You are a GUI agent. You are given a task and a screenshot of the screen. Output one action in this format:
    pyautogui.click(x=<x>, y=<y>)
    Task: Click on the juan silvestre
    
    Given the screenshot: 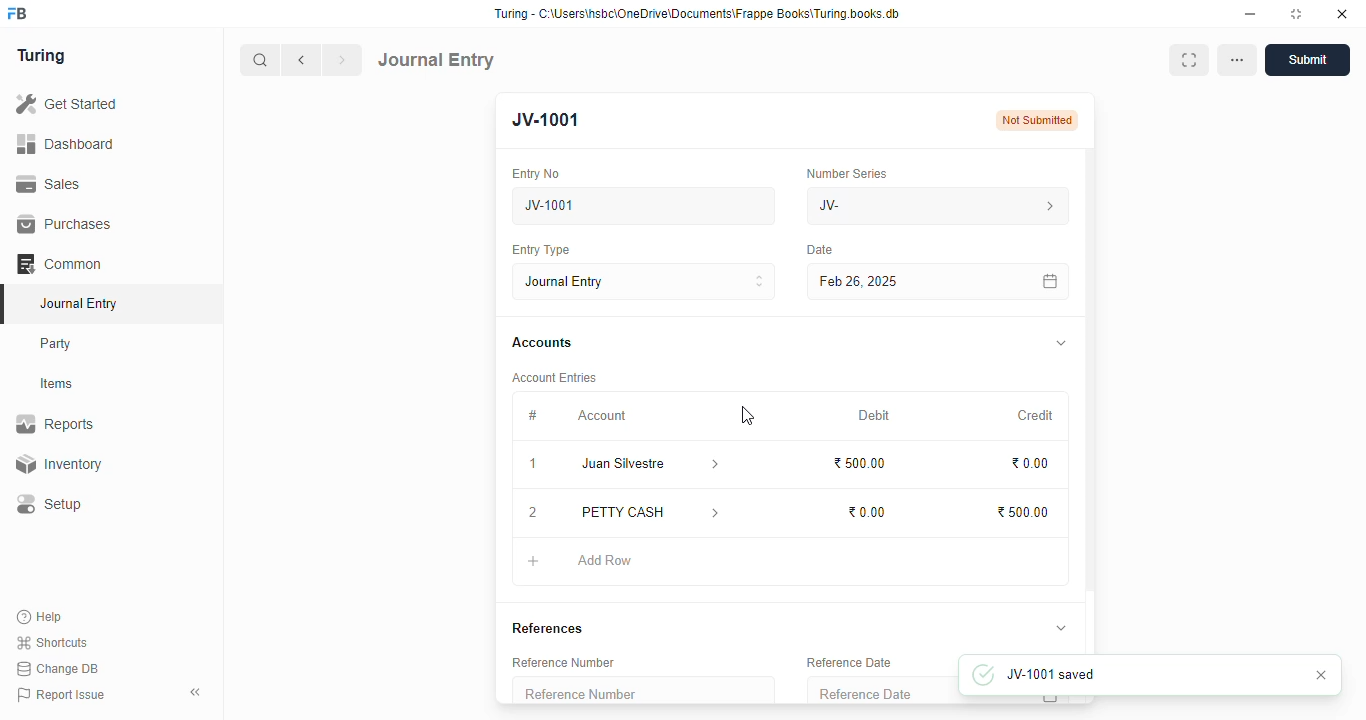 What is the action you would take?
    pyautogui.click(x=627, y=465)
    